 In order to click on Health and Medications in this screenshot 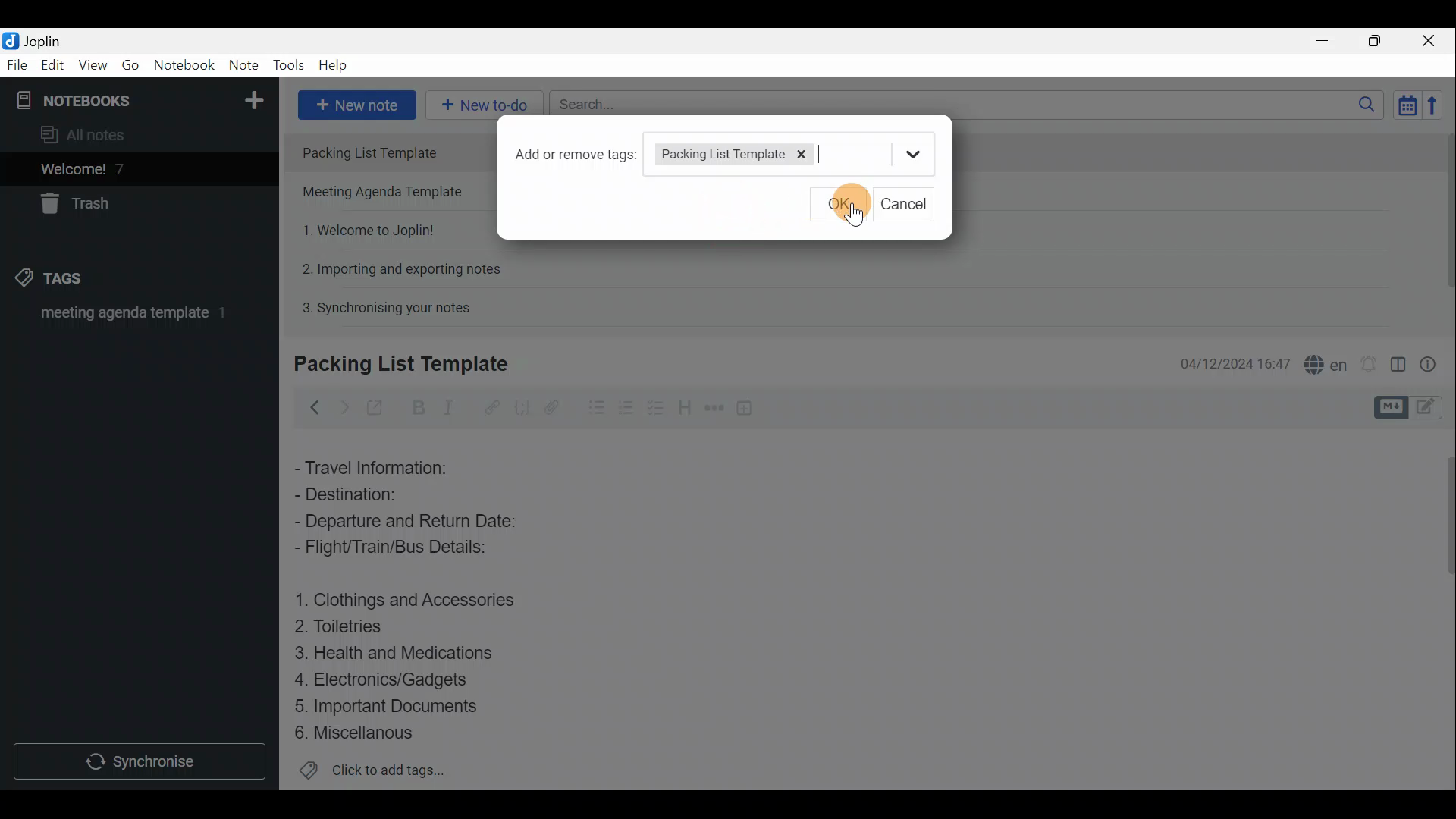, I will do `click(403, 654)`.